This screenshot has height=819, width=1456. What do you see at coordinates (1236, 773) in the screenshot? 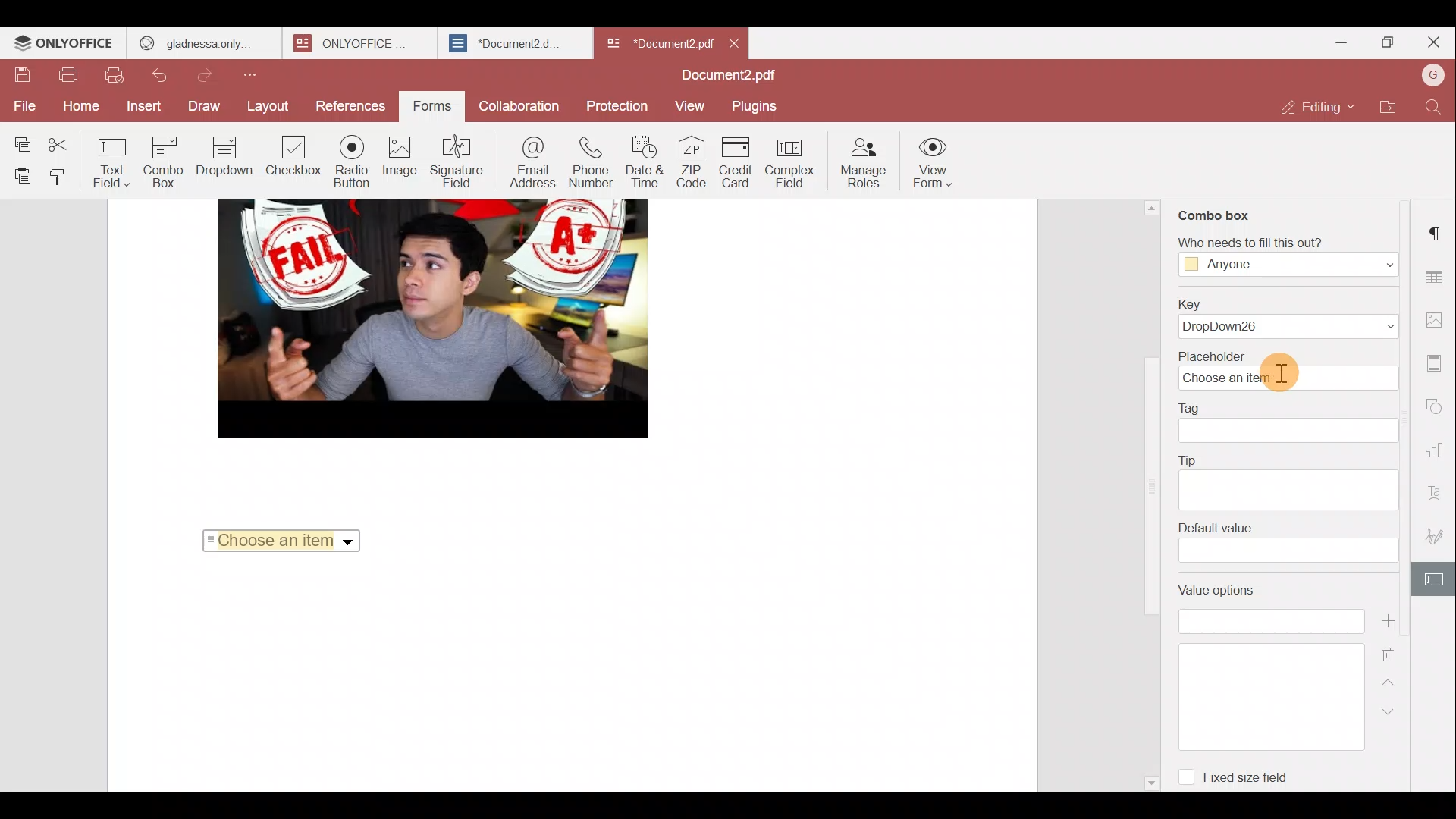
I see `Fixed size field` at bounding box center [1236, 773].